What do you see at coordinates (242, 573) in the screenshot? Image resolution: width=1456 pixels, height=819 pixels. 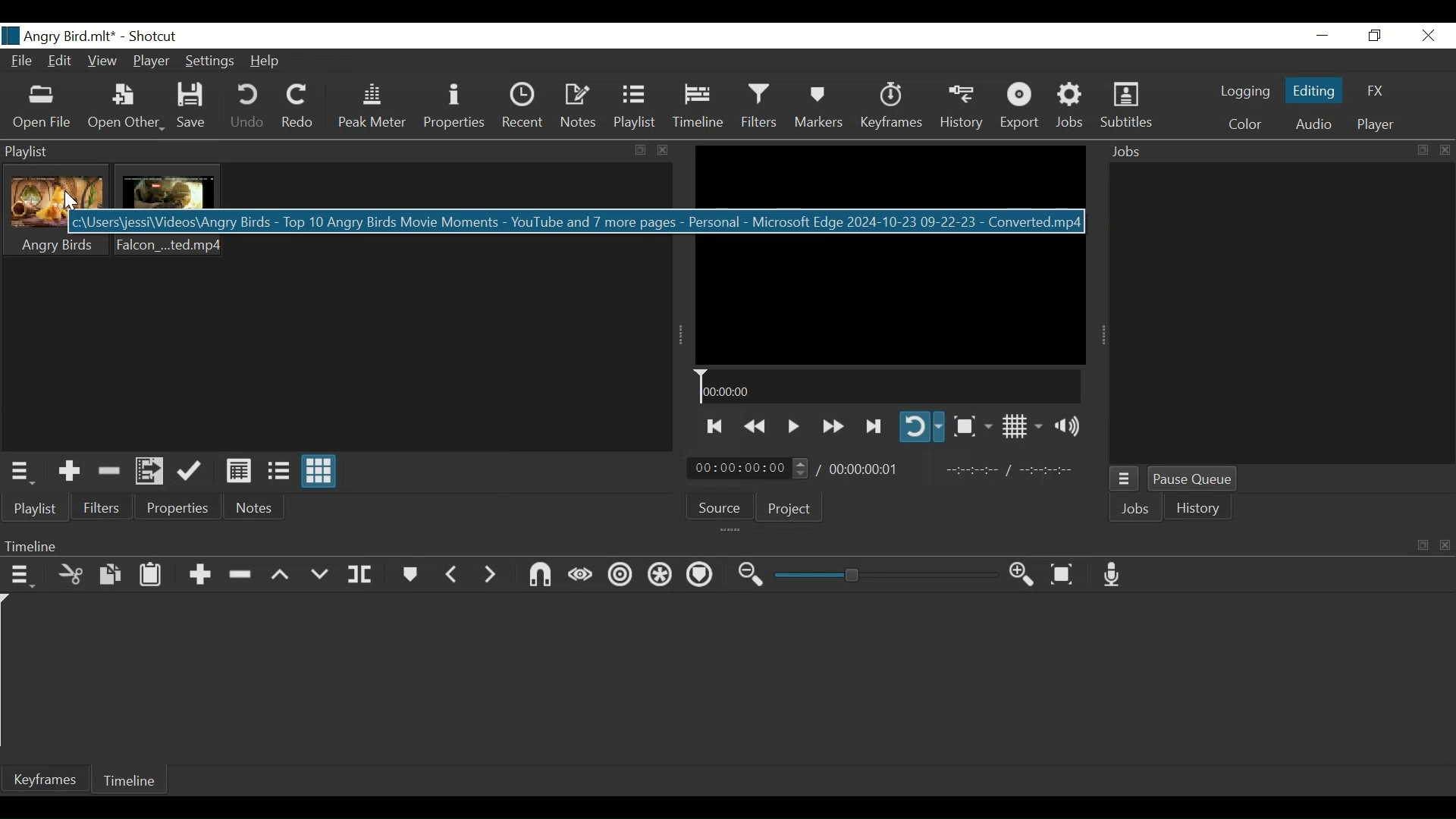 I see `Ripple Delete` at bounding box center [242, 573].